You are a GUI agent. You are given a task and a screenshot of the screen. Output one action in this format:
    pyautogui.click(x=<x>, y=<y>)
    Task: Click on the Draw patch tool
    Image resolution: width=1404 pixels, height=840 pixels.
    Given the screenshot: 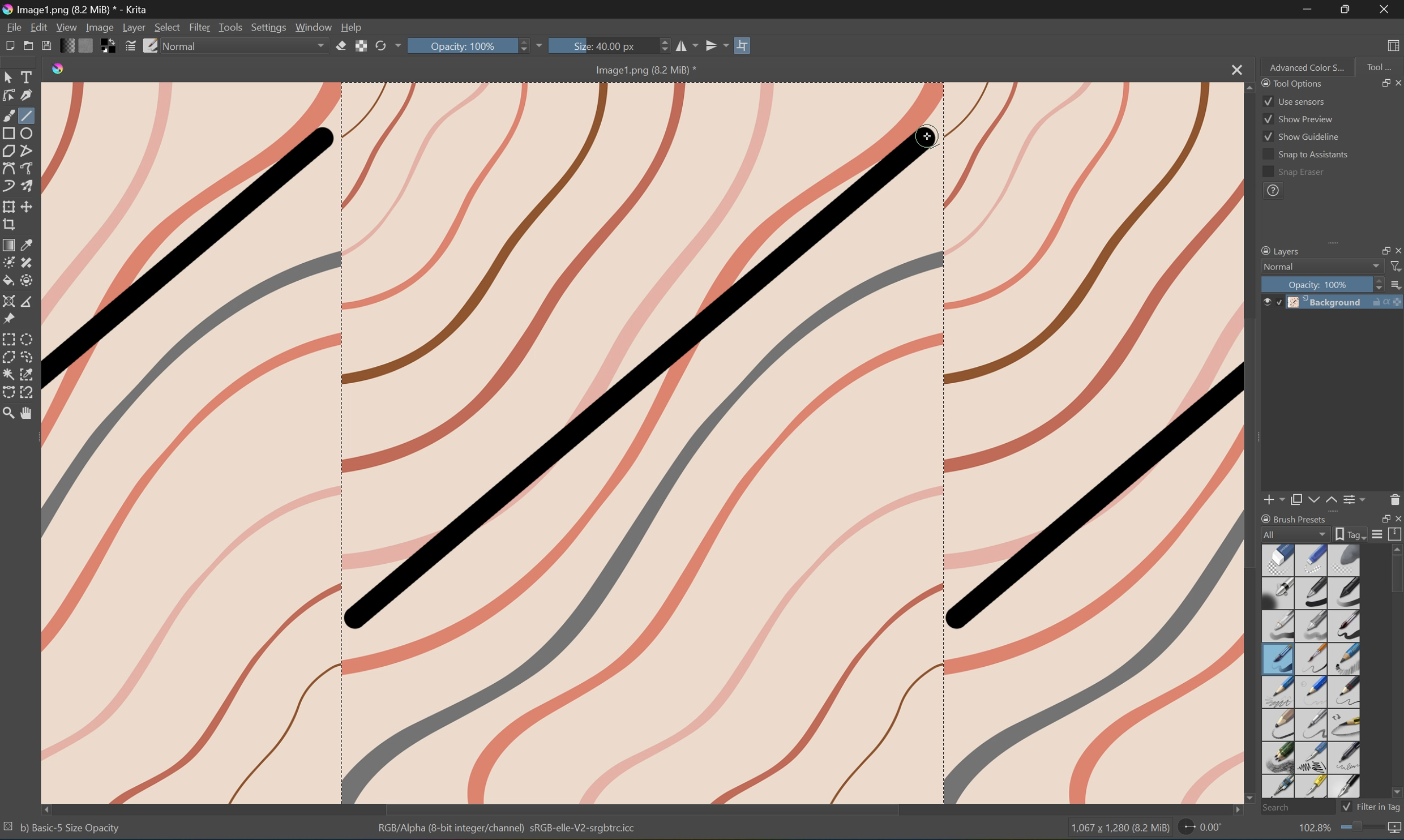 What is the action you would take?
    pyautogui.click(x=25, y=263)
    